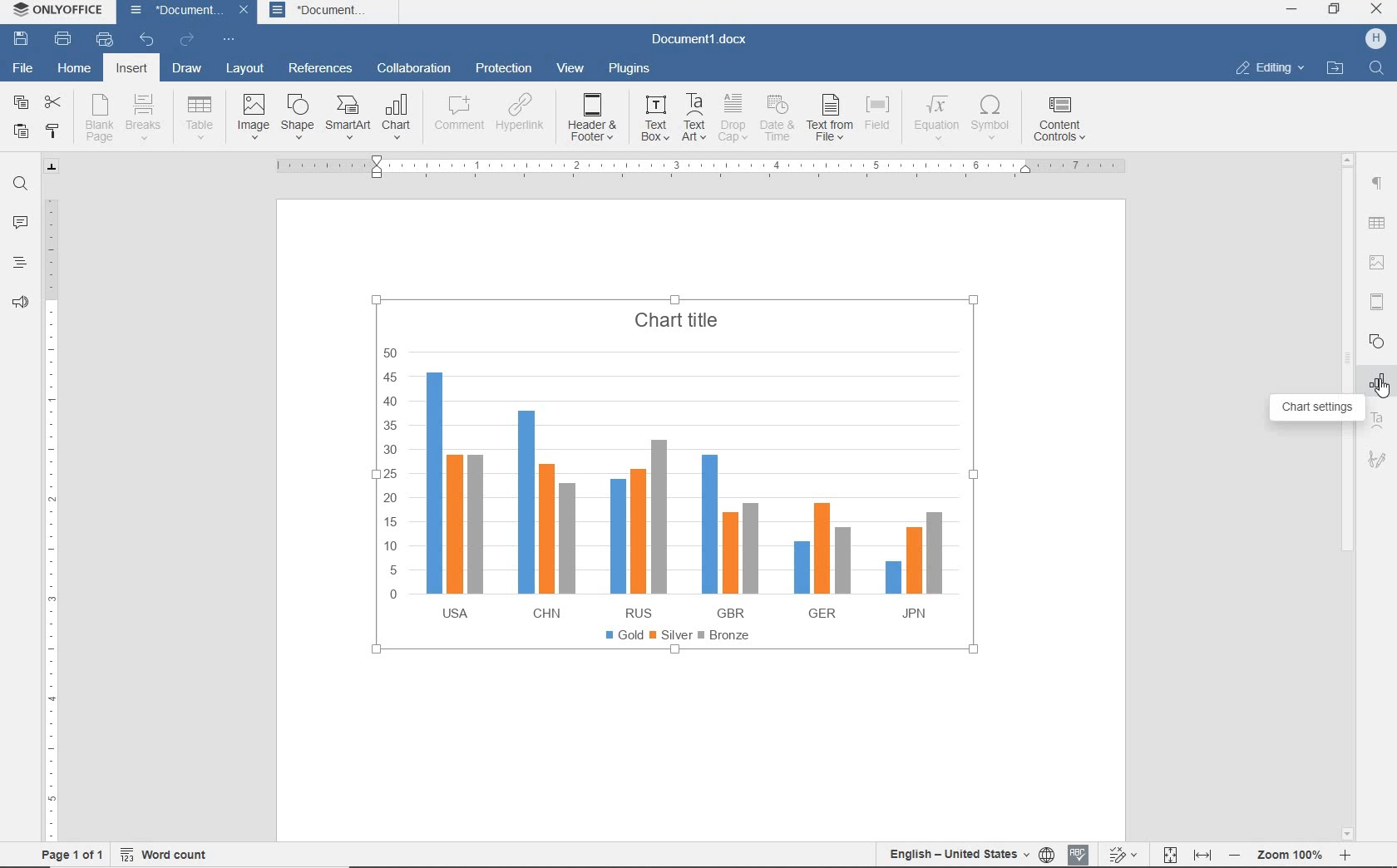 The height and width of the screenshot is (868, 1397). Describe the element at coordinates (1079, 853) in the screenshot. I see `spell check` at that location.